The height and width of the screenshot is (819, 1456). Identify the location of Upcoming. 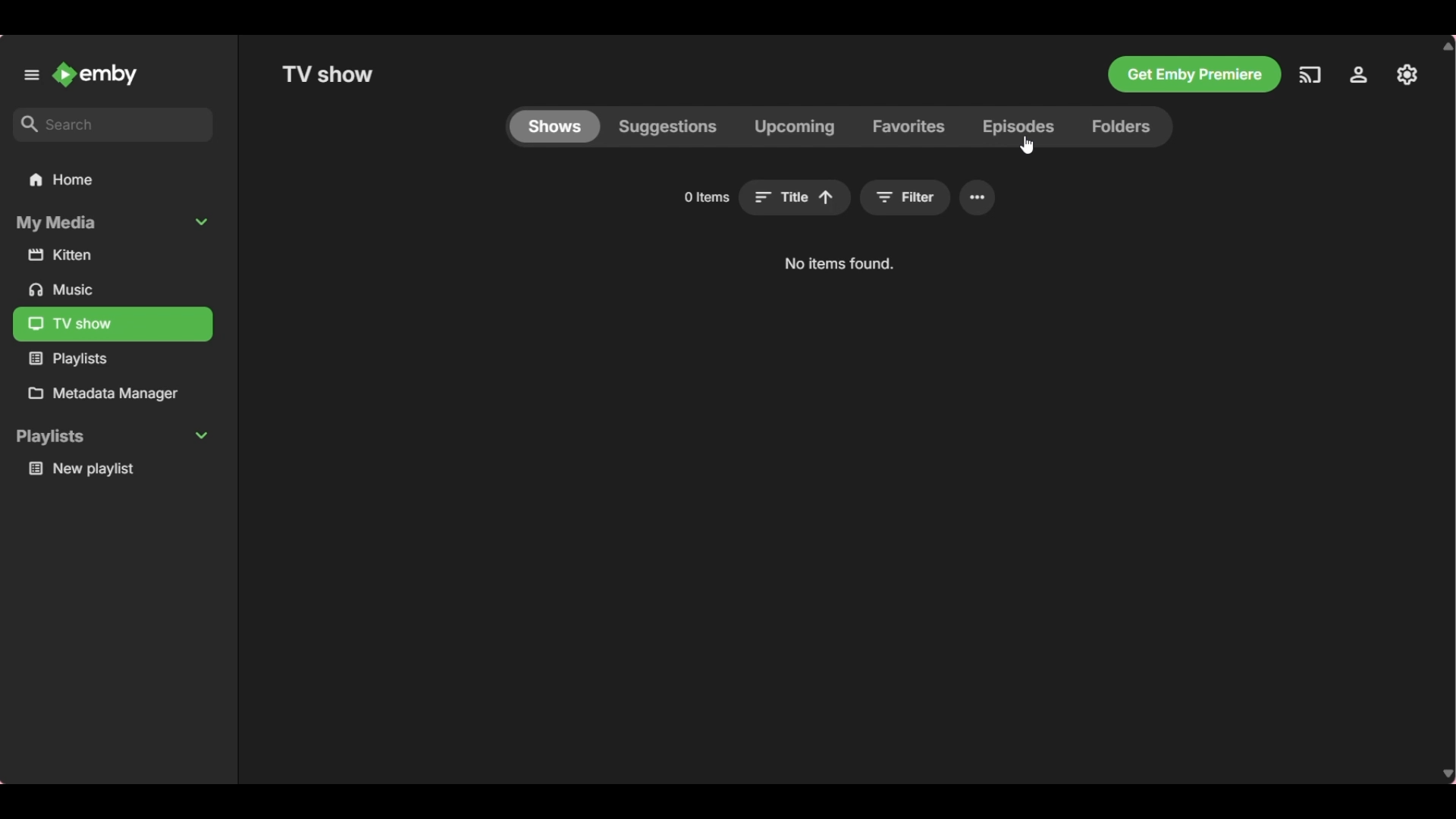
(792, 127).